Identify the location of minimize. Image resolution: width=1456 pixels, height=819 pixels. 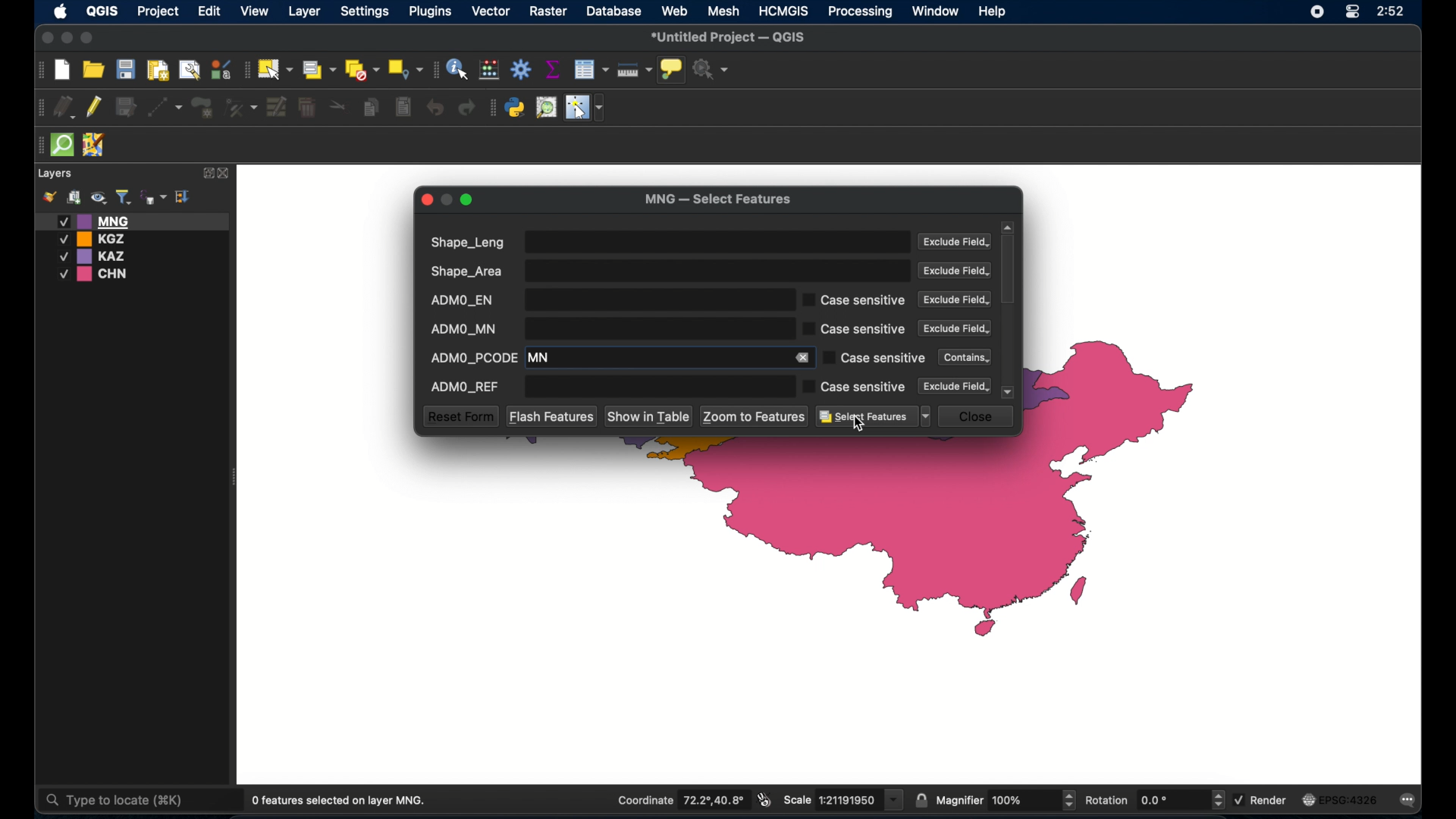
(68, 39).